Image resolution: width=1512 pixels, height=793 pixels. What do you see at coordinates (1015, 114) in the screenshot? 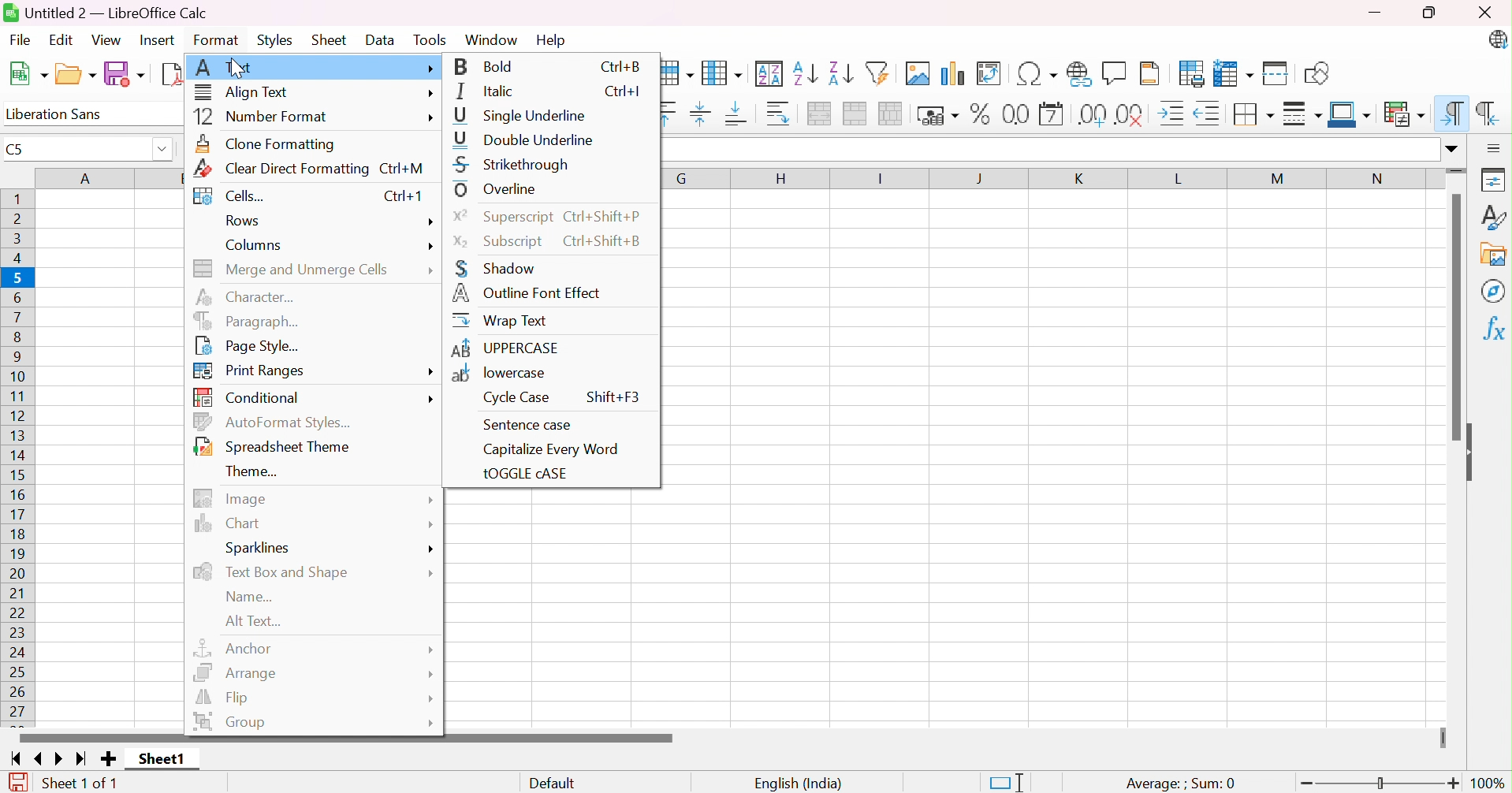
I see `Format as Number` at bounding box center [1015, 114].